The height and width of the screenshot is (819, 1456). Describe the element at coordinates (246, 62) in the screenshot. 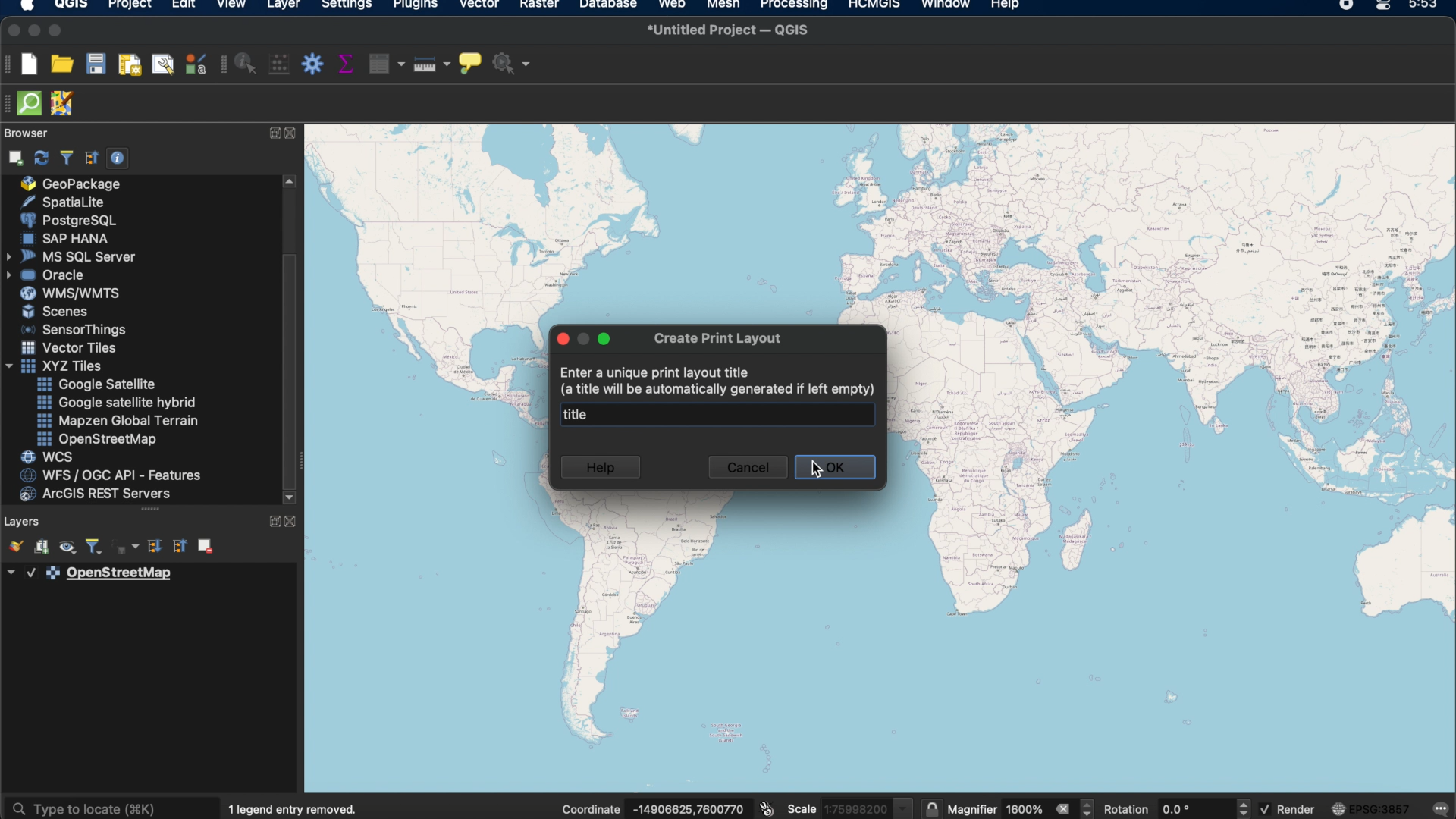

I see `identify features` at that location.